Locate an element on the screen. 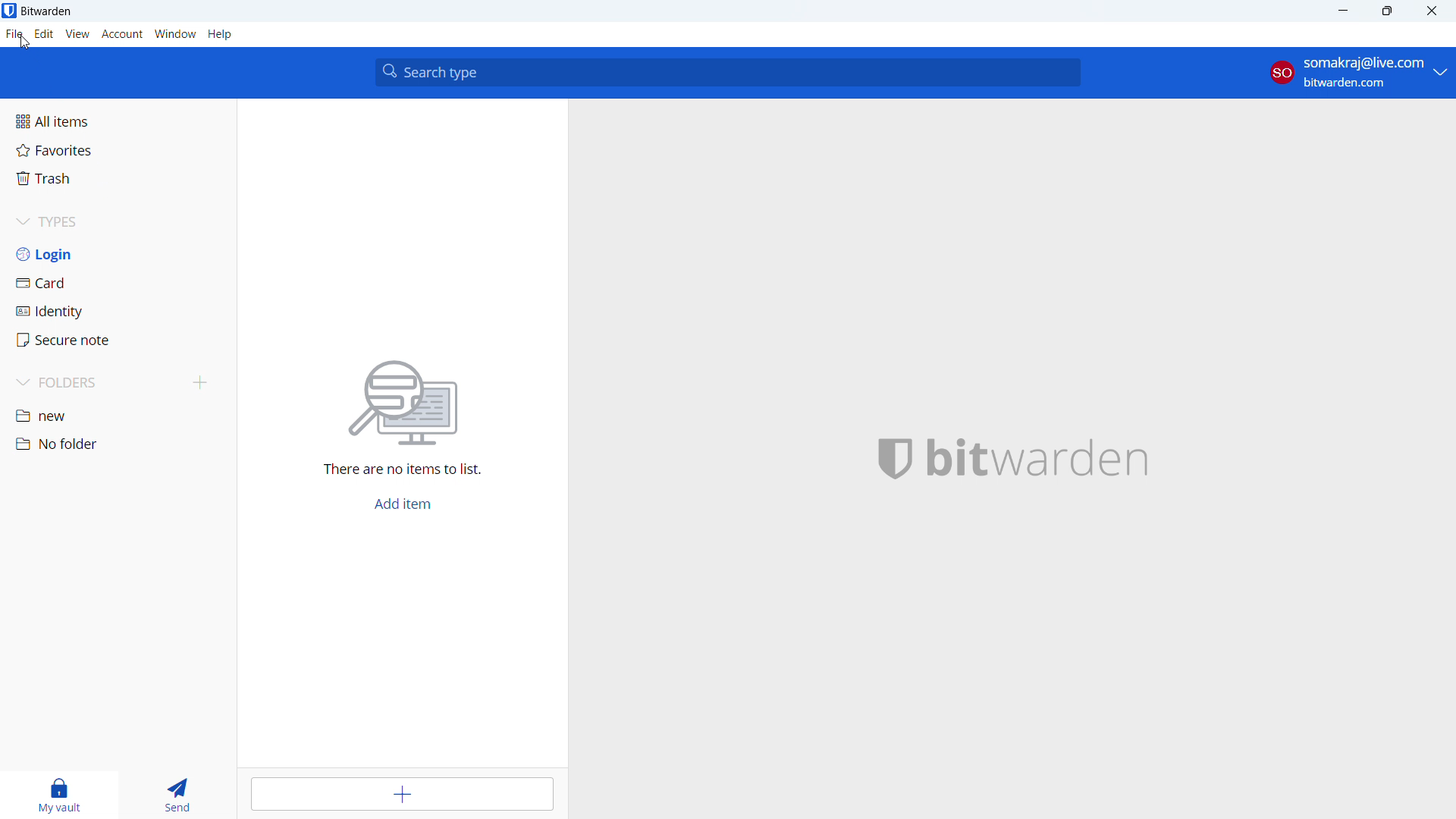 The width and height of the screenshot is (1456, 819). maximize is located at coordinates (1387, 11).